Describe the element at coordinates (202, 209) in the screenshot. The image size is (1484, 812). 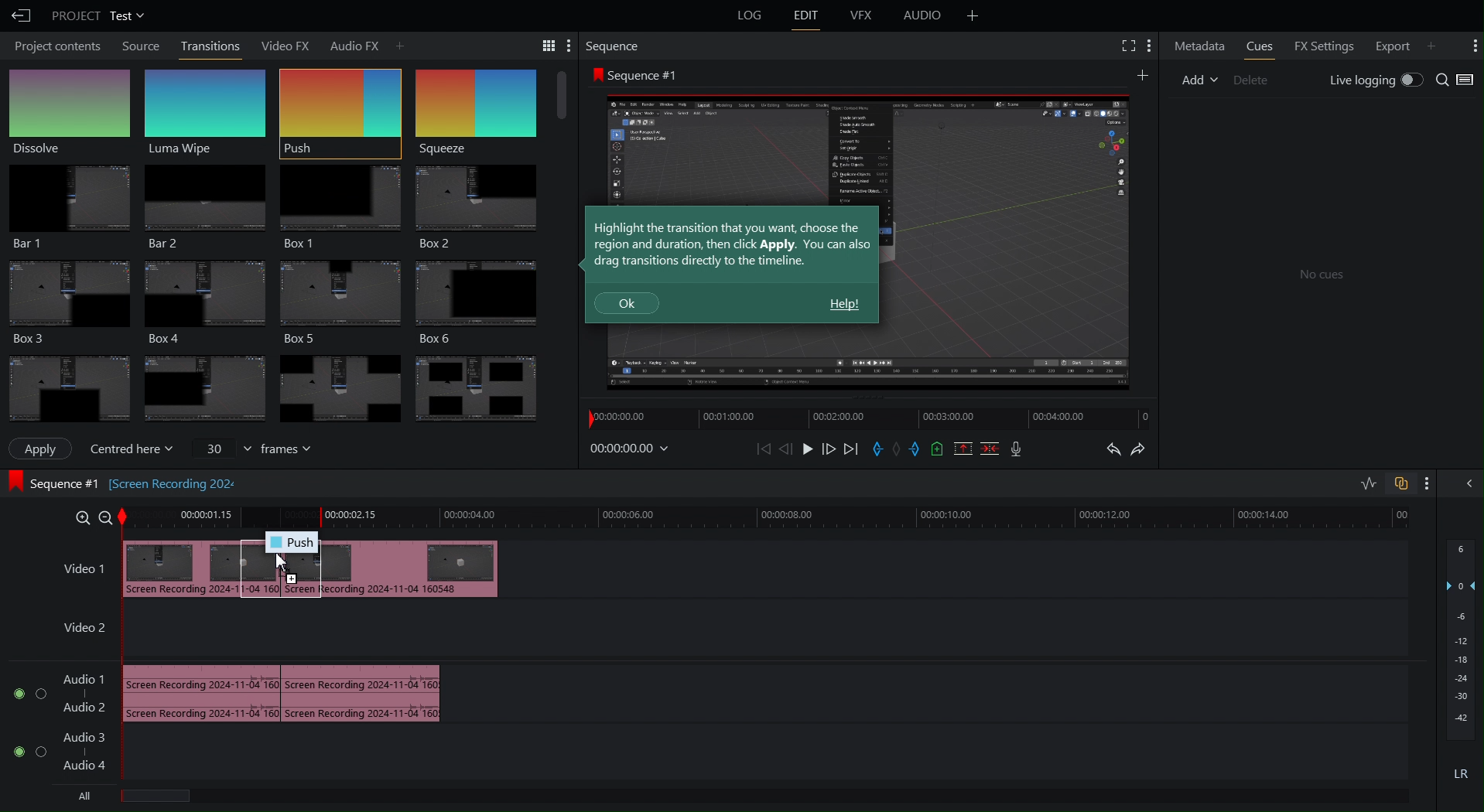
I see `Bar 2` at that location.